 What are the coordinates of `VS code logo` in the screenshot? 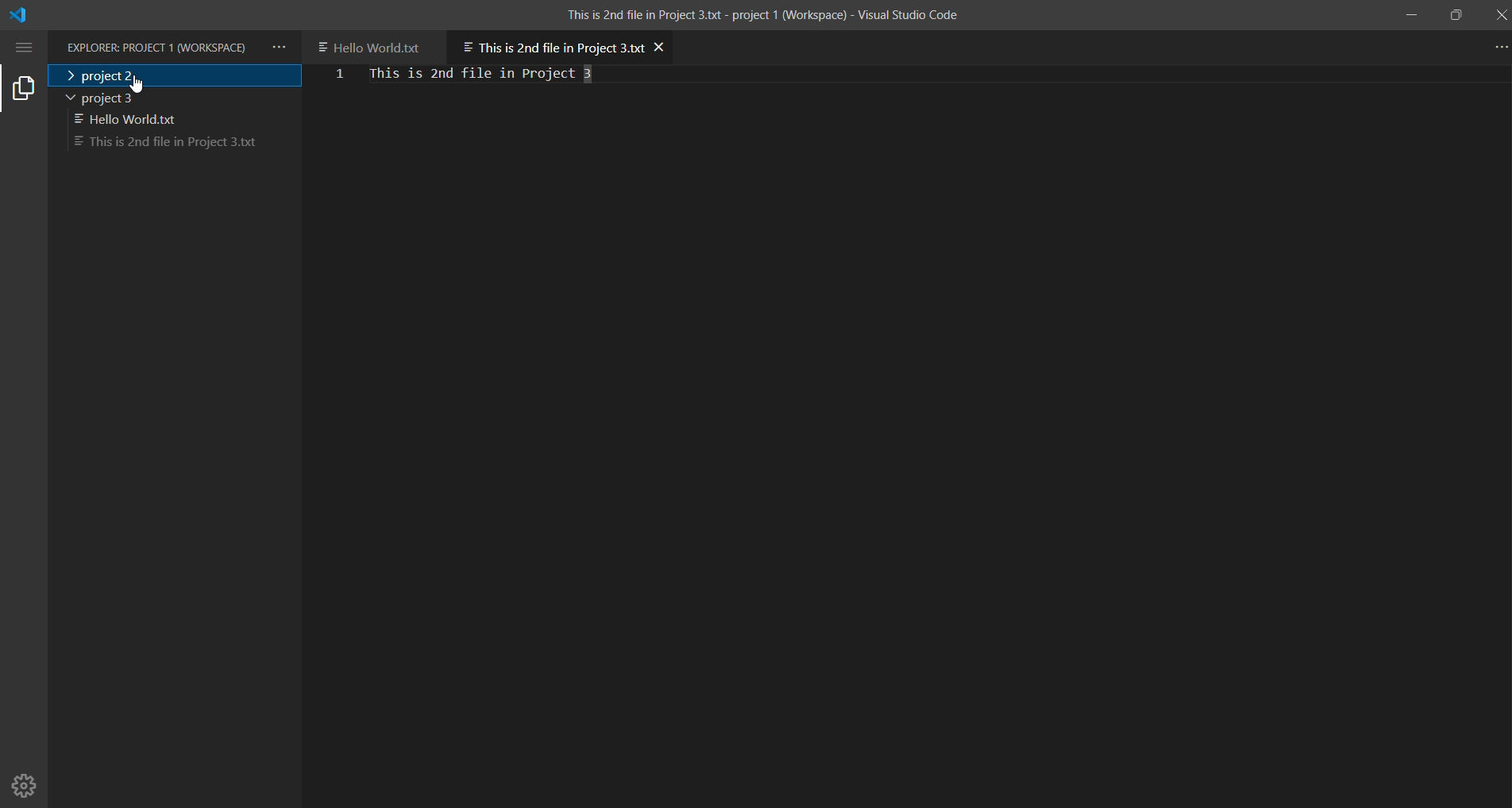 It's located at (22, 17).